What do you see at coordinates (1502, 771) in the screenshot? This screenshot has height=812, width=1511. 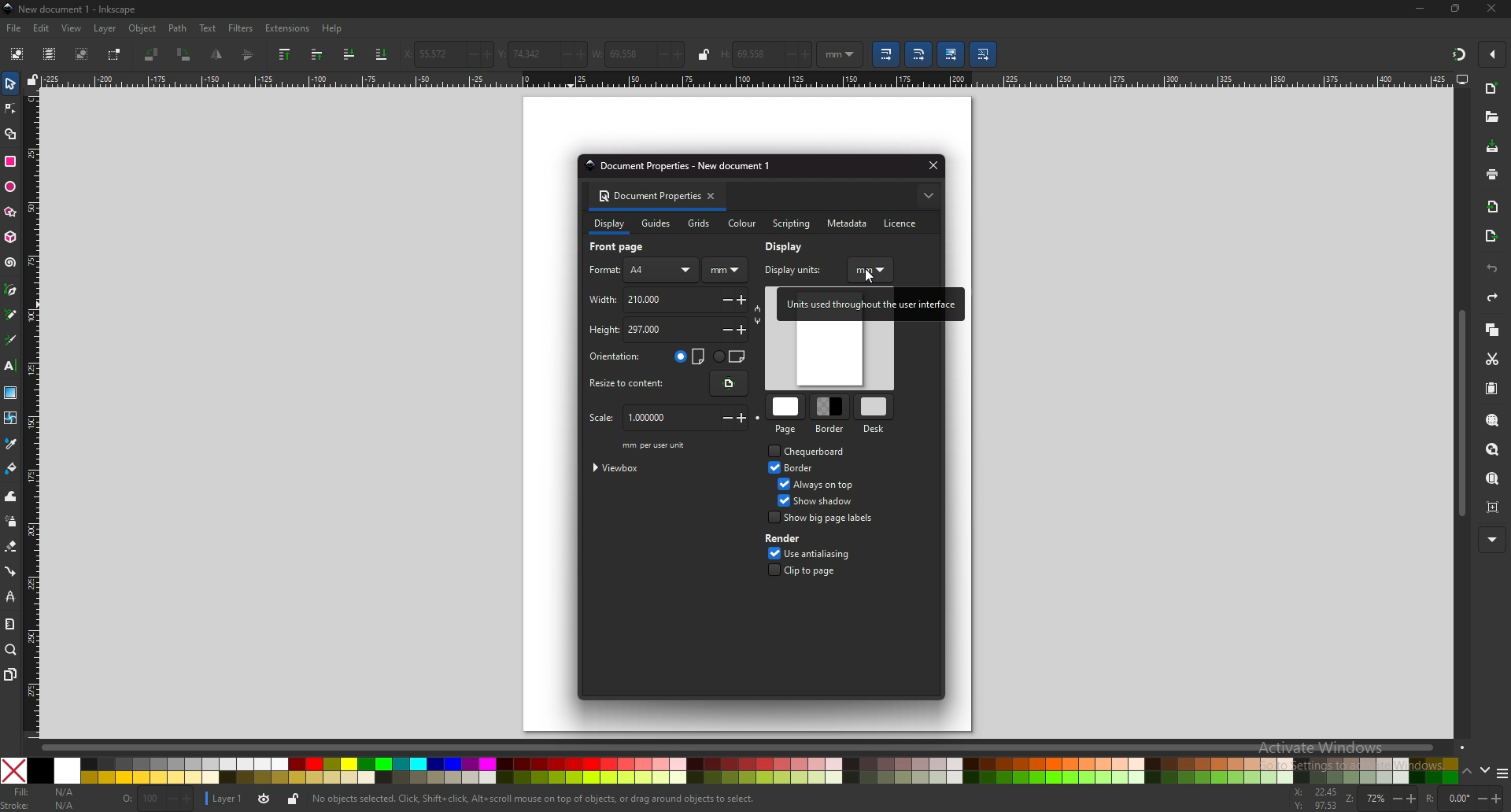 I see `more colors` at bounding box center [1502, 771].